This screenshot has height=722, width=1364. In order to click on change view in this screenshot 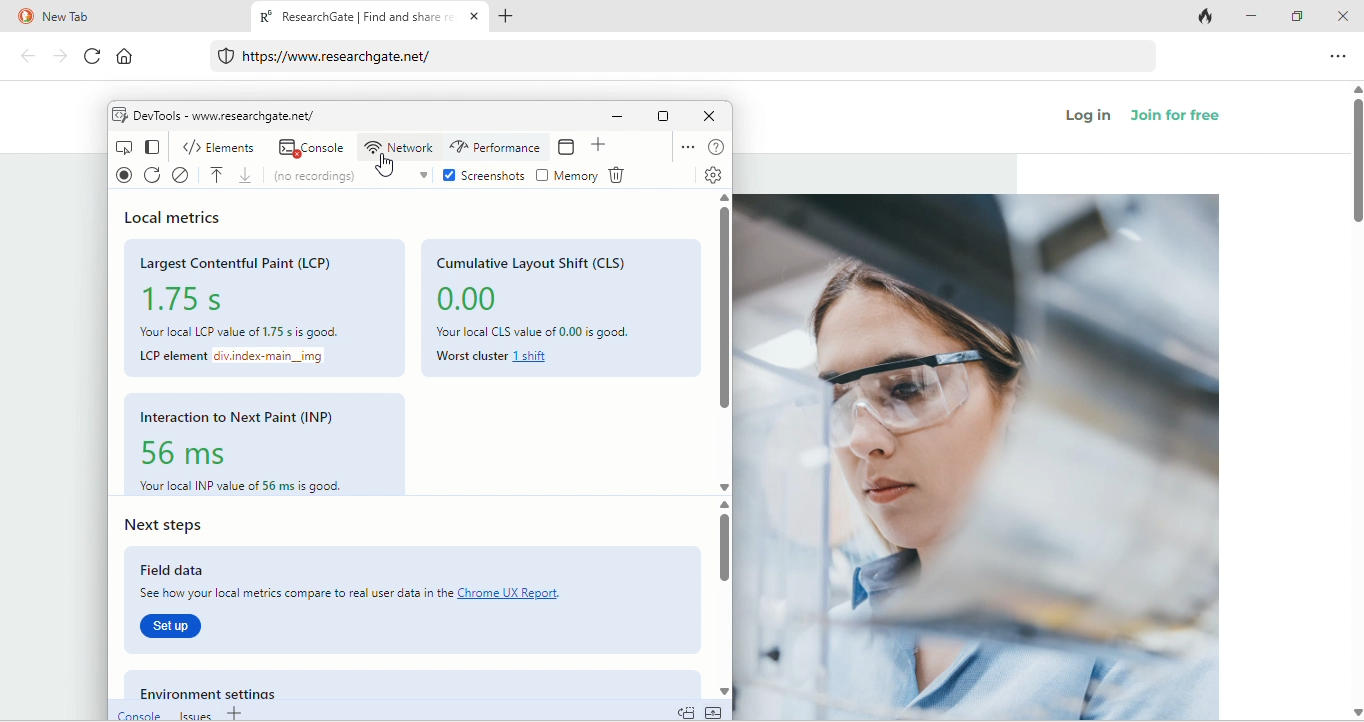, I will do `click(150, 146)`.